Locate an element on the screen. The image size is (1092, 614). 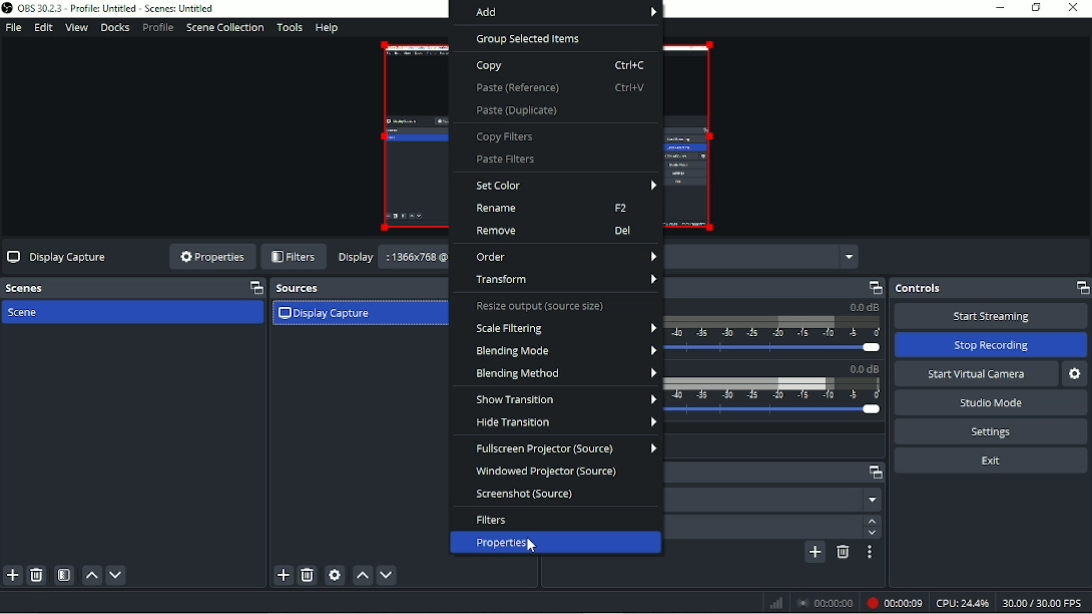
Open scene filters is located at coordinates (63, 576).